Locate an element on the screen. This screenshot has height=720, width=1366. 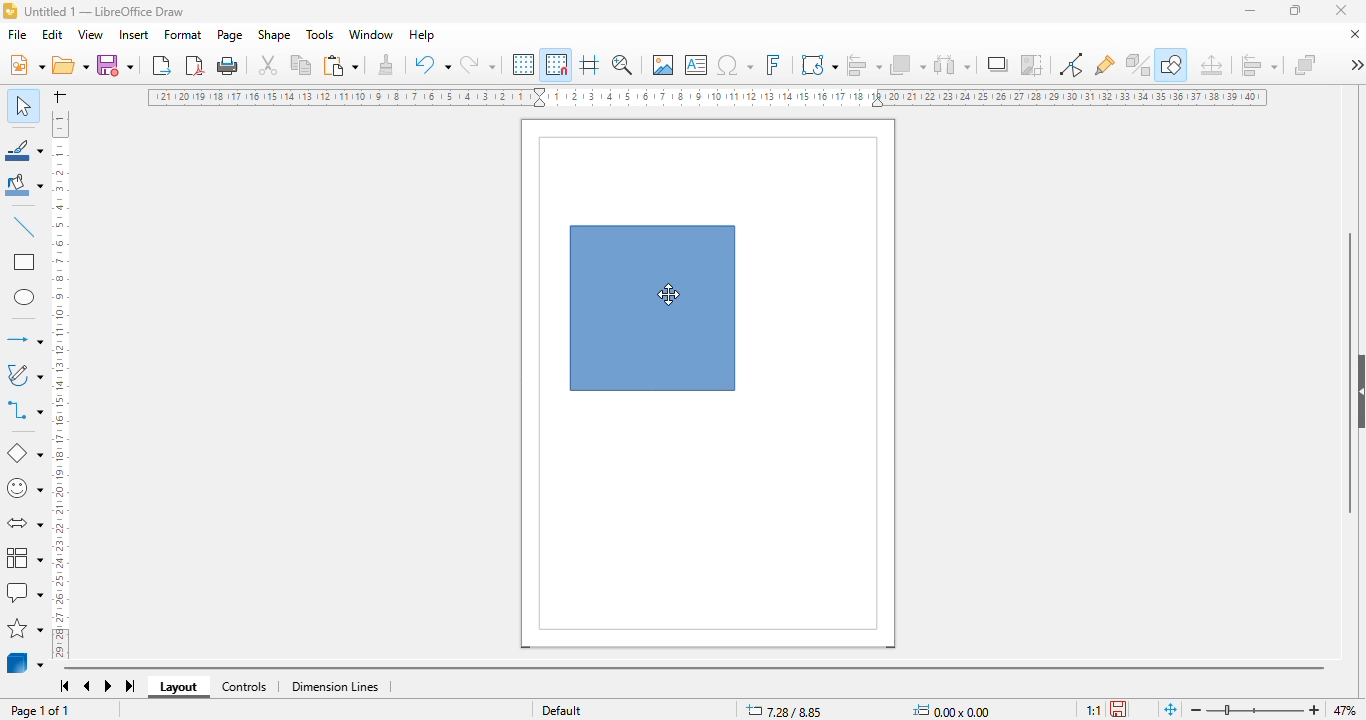
zoom & pan is located at coordinates (622, 64).